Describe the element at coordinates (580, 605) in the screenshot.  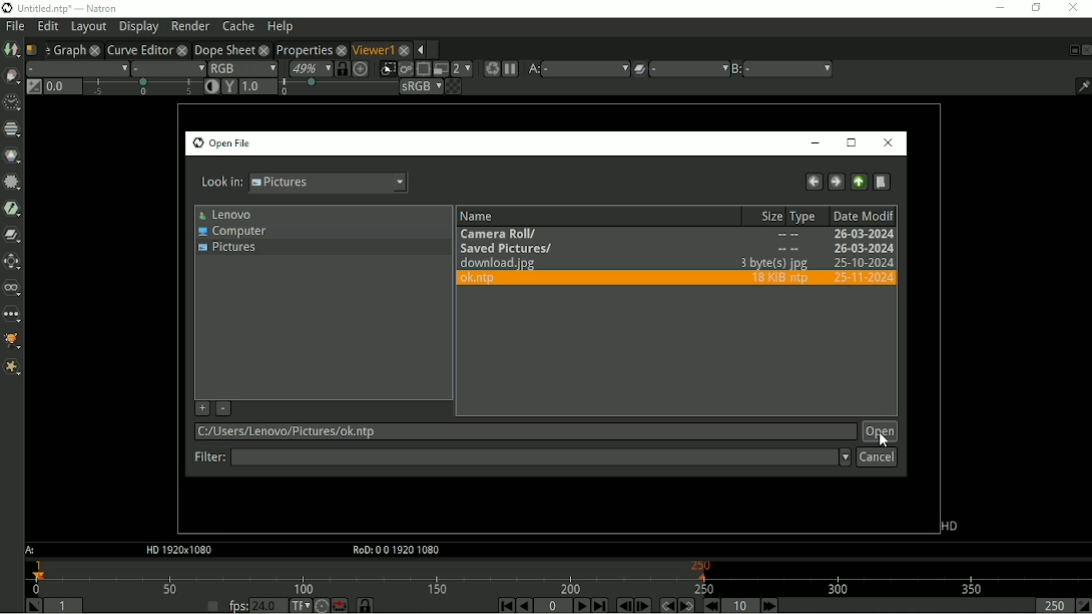
I see `Play forward` at that location.